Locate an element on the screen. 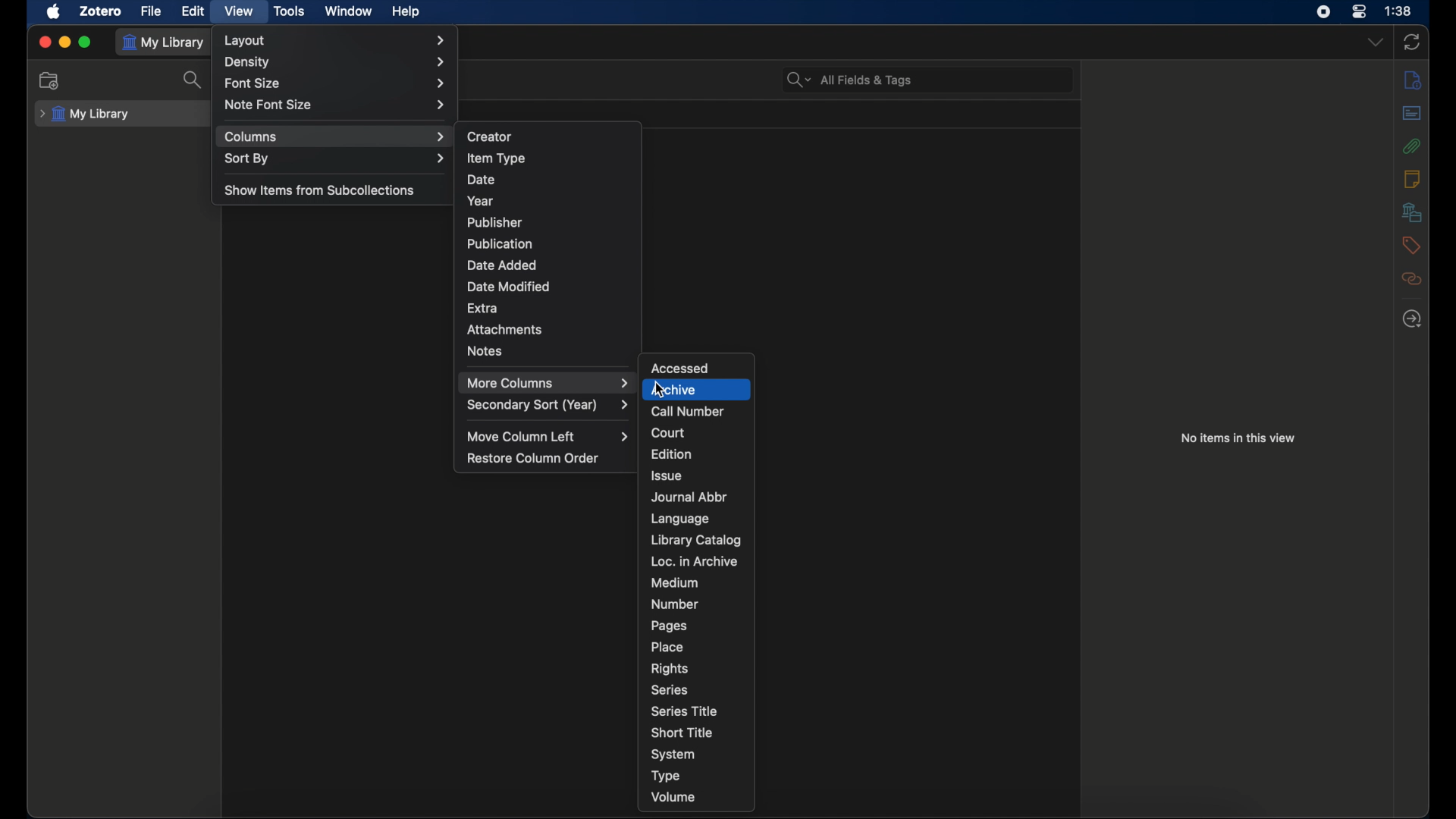  medium is located at coordinates (673, 583).